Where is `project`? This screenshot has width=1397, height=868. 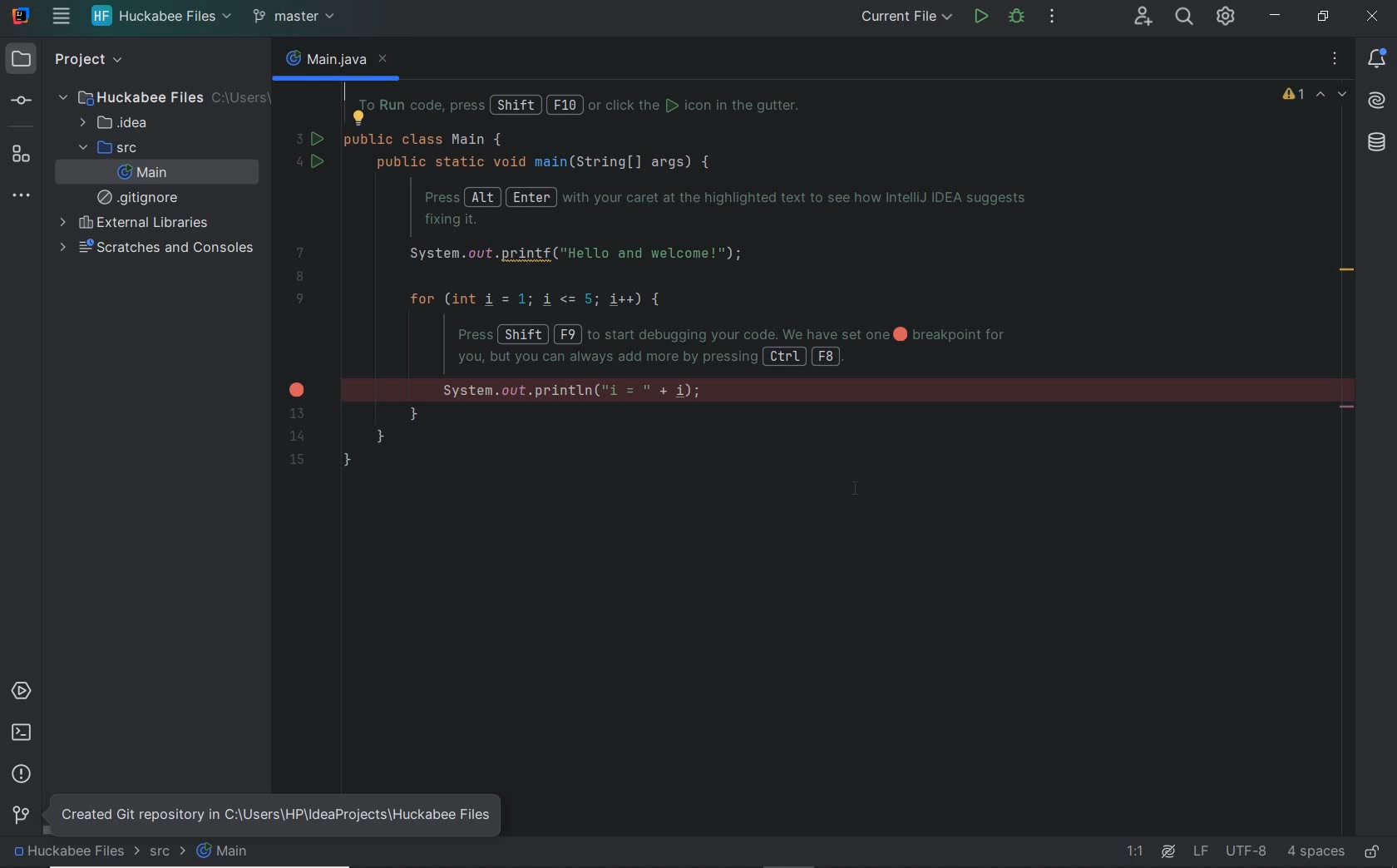
project is located at coordinates (62, 61).